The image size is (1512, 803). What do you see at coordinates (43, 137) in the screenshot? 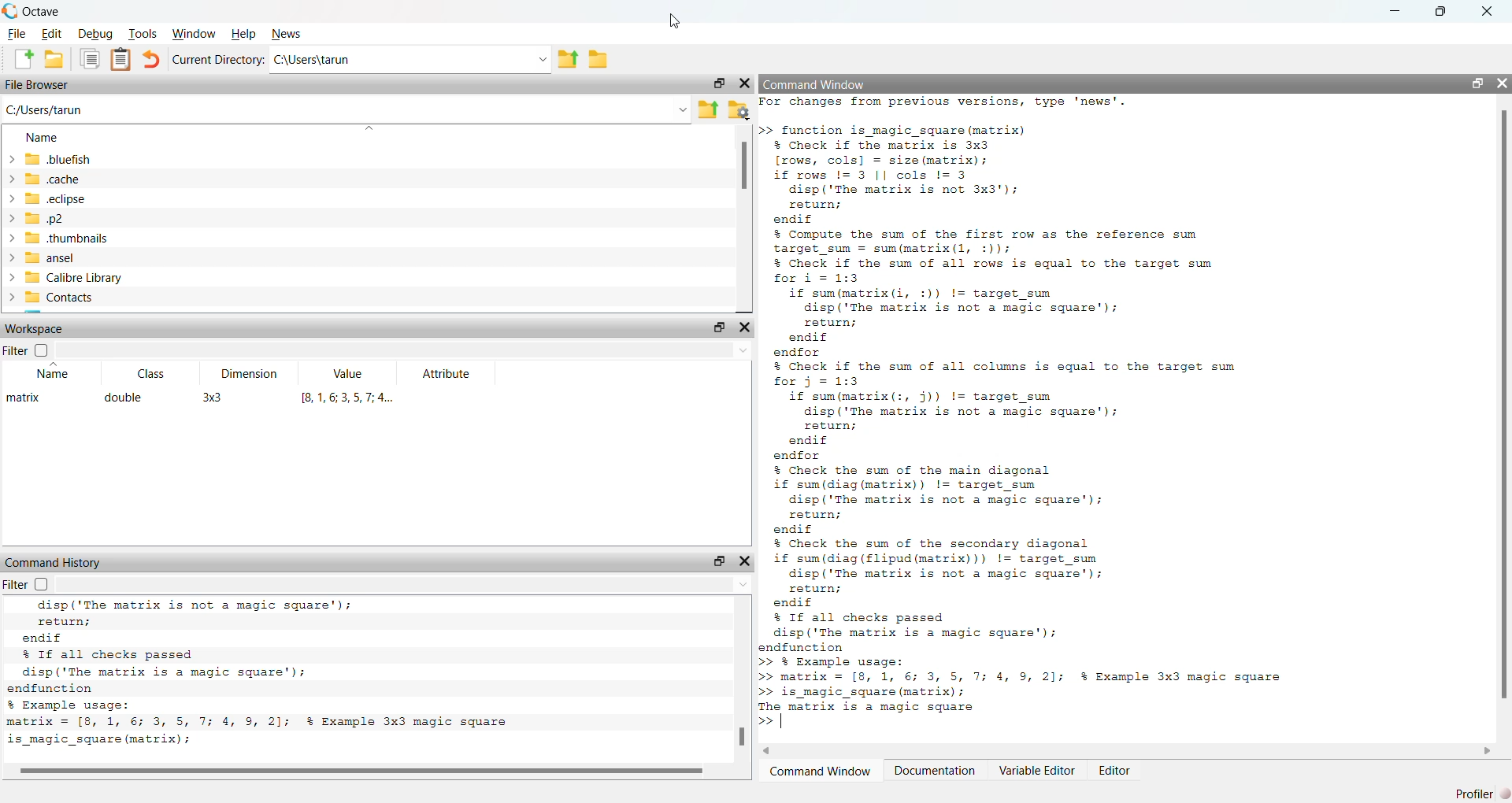
I see `Name` at bounding box center [43, 137].